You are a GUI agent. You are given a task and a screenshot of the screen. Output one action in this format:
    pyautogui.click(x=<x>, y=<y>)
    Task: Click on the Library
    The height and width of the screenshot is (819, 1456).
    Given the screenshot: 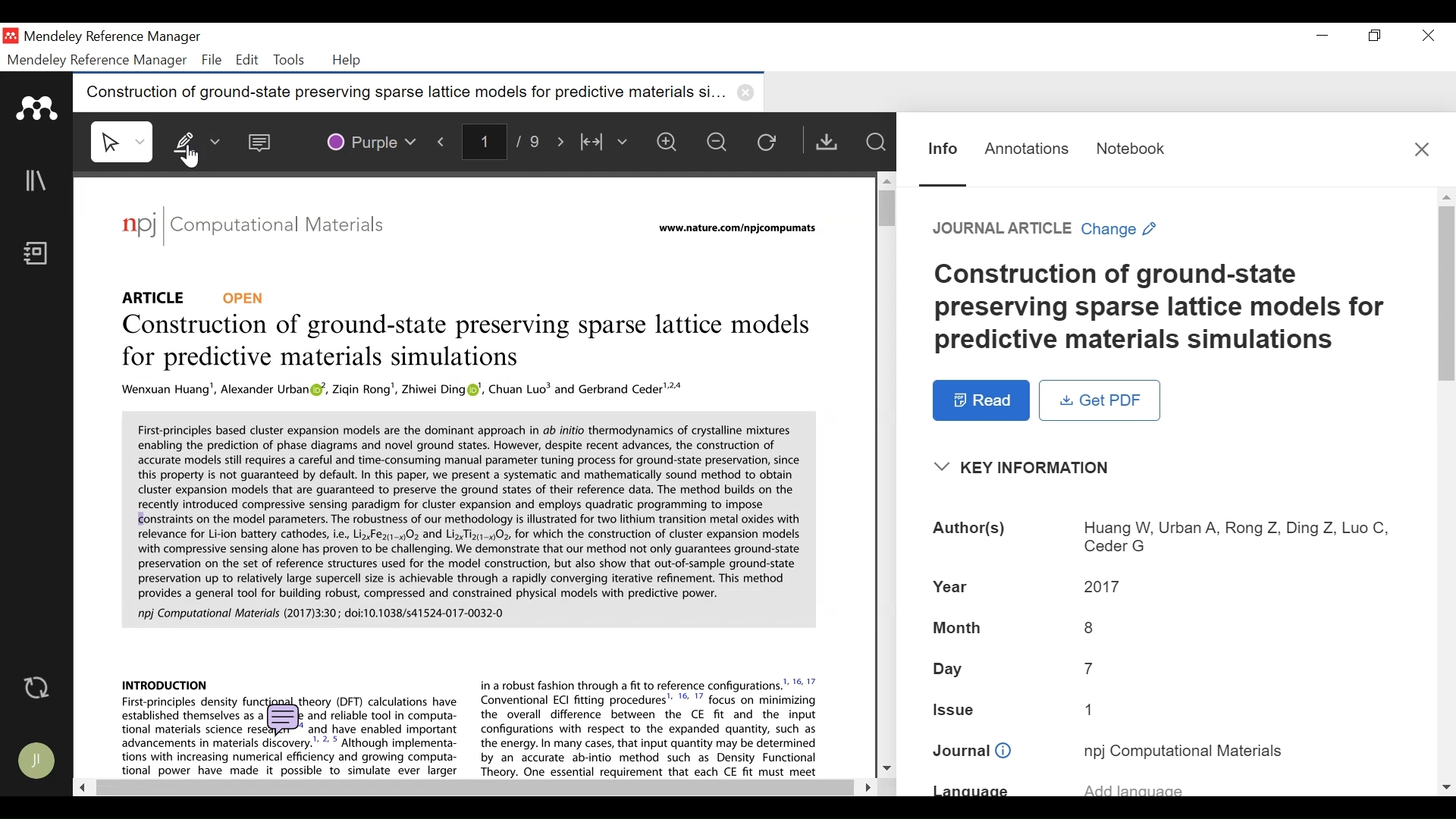 What is the action you would take?
    pyautogui.click(x=37, y=180)
    